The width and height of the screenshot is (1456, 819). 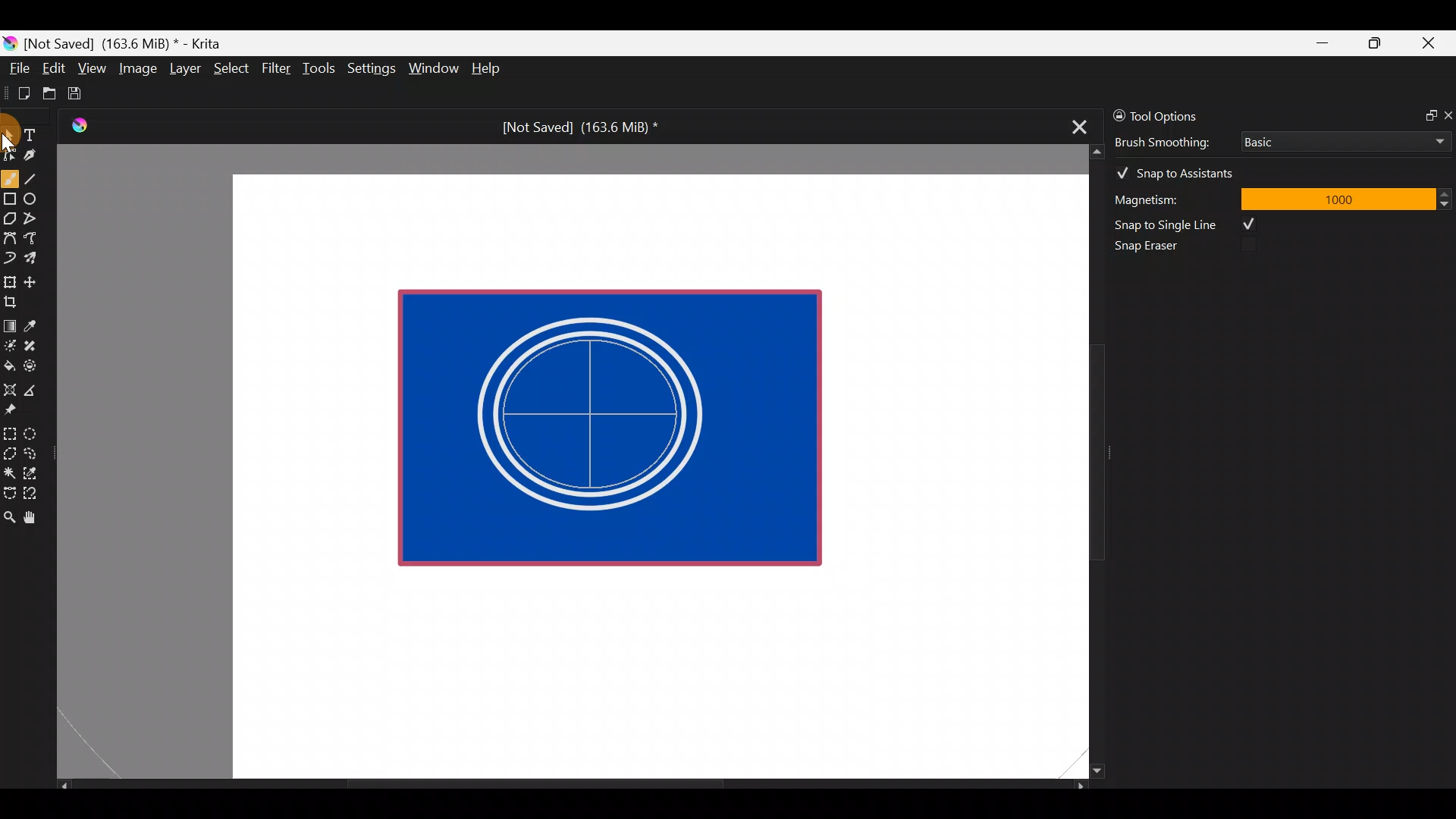 What do you see at coordinates (1075, 124) in the screenshot?
I see `Close tab` at bounding box center [1075, 124].